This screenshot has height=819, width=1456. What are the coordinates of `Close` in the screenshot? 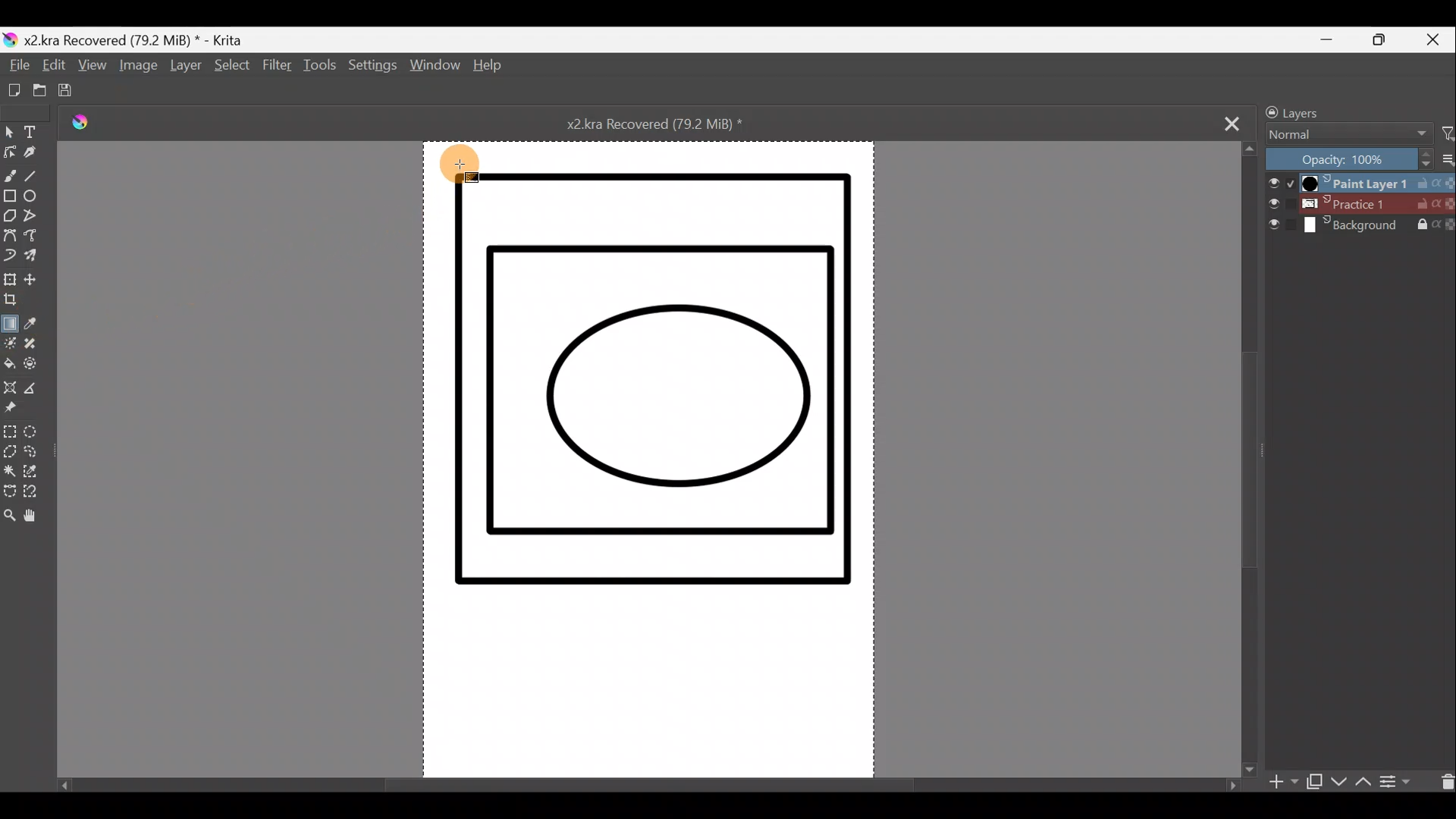 It's located at (1436, 39).